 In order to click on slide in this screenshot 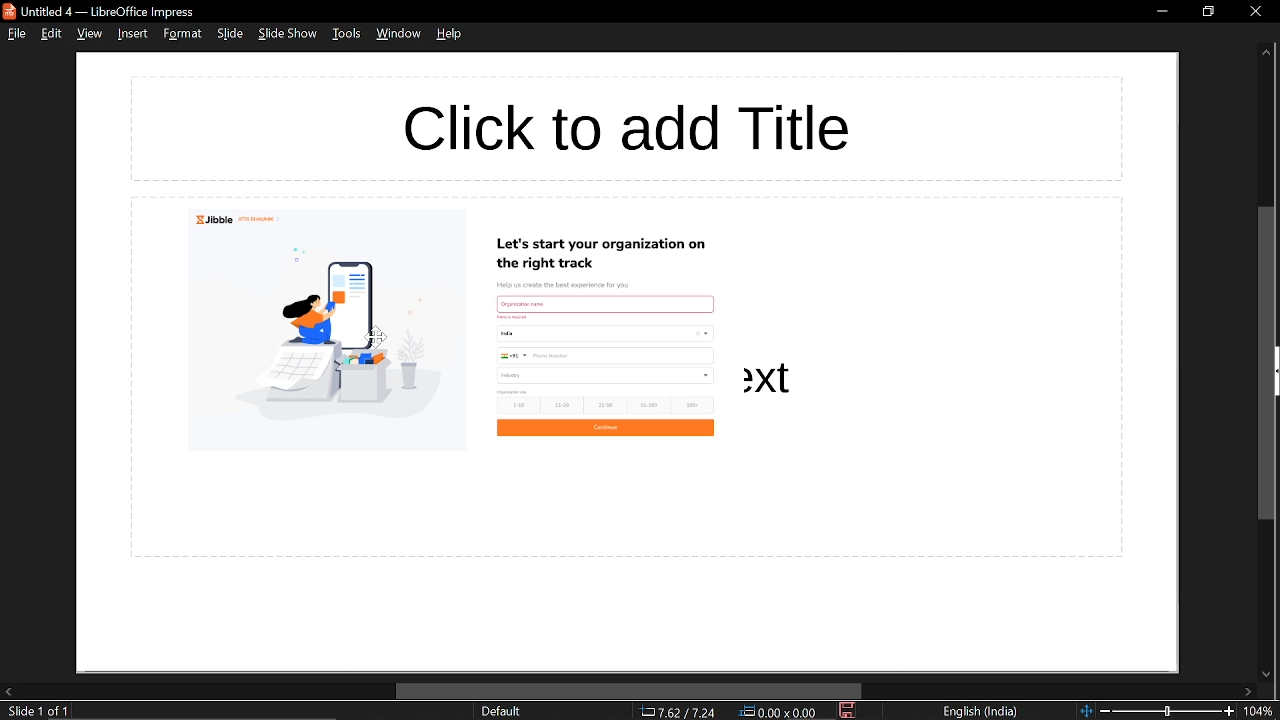, I will do `click(230, 34)`.